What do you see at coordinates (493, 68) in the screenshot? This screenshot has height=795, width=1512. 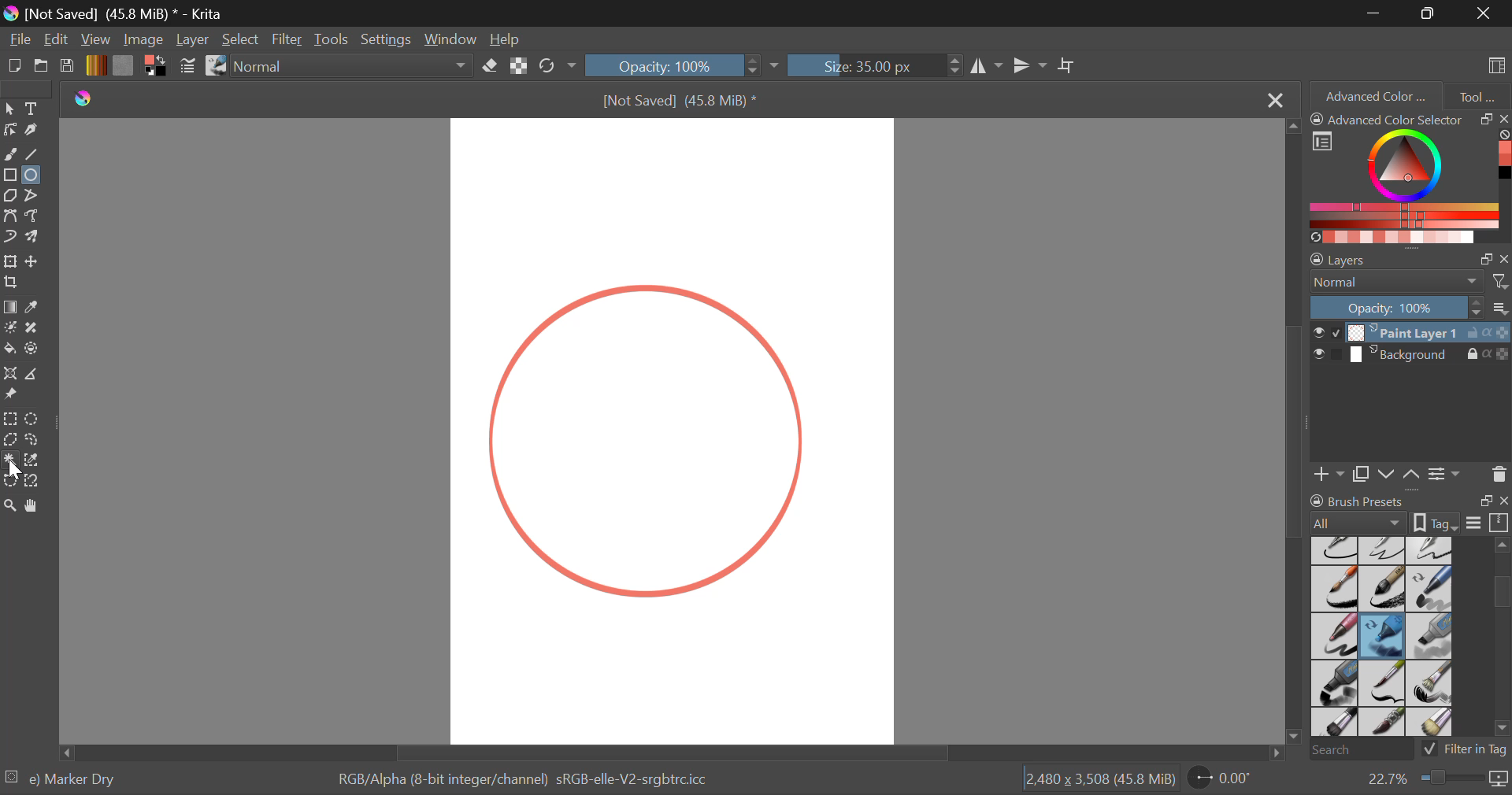 I see `Erase` at bounding box center [493, 68].